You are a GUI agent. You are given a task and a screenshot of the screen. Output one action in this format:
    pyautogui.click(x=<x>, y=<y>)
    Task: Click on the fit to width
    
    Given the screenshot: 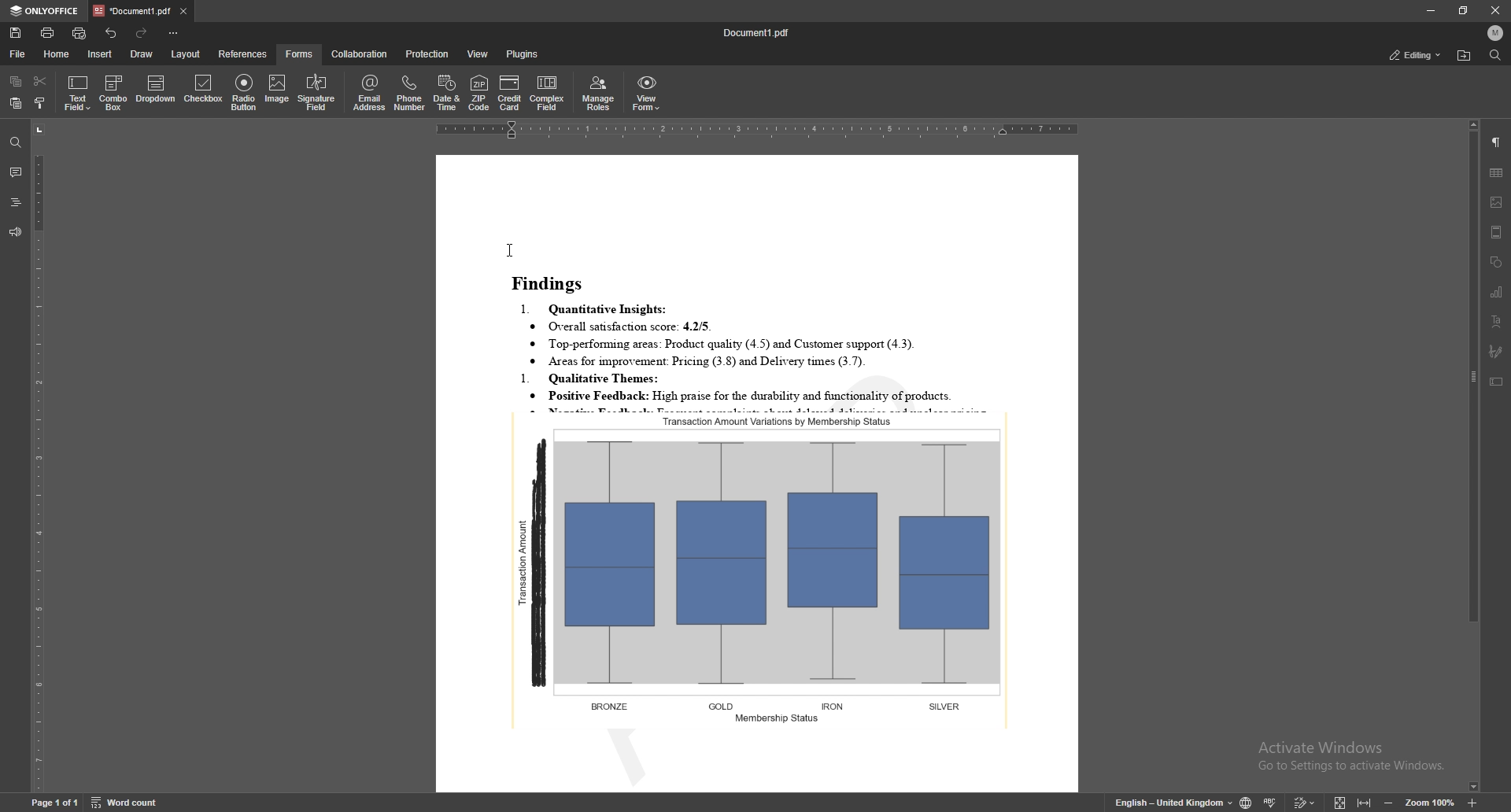 What is the action you would take?
    pyautogui.click(x=1365, y=804)
    